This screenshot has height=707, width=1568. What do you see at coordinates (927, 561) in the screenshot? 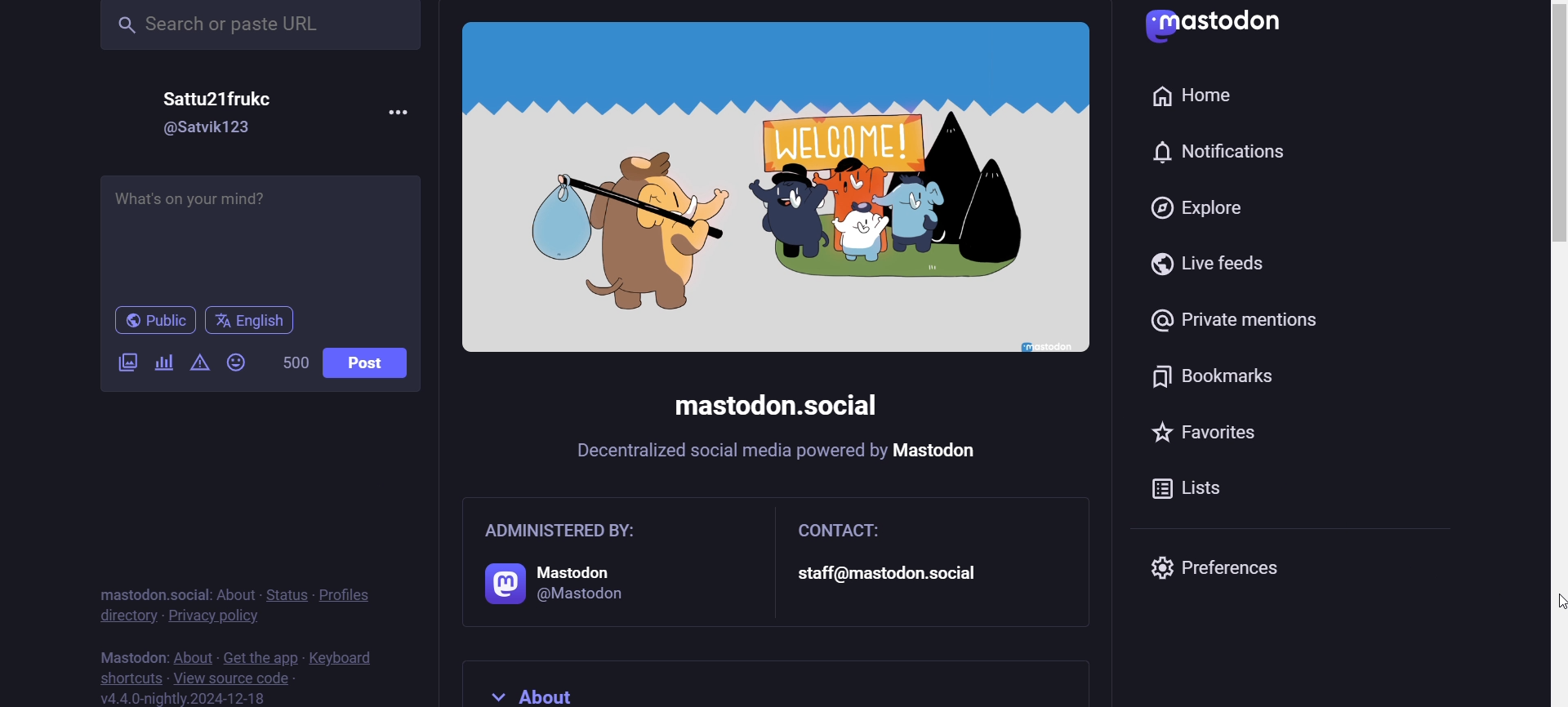
I see `contact: staff@mastodon.social` at bounding box center [927, 561].